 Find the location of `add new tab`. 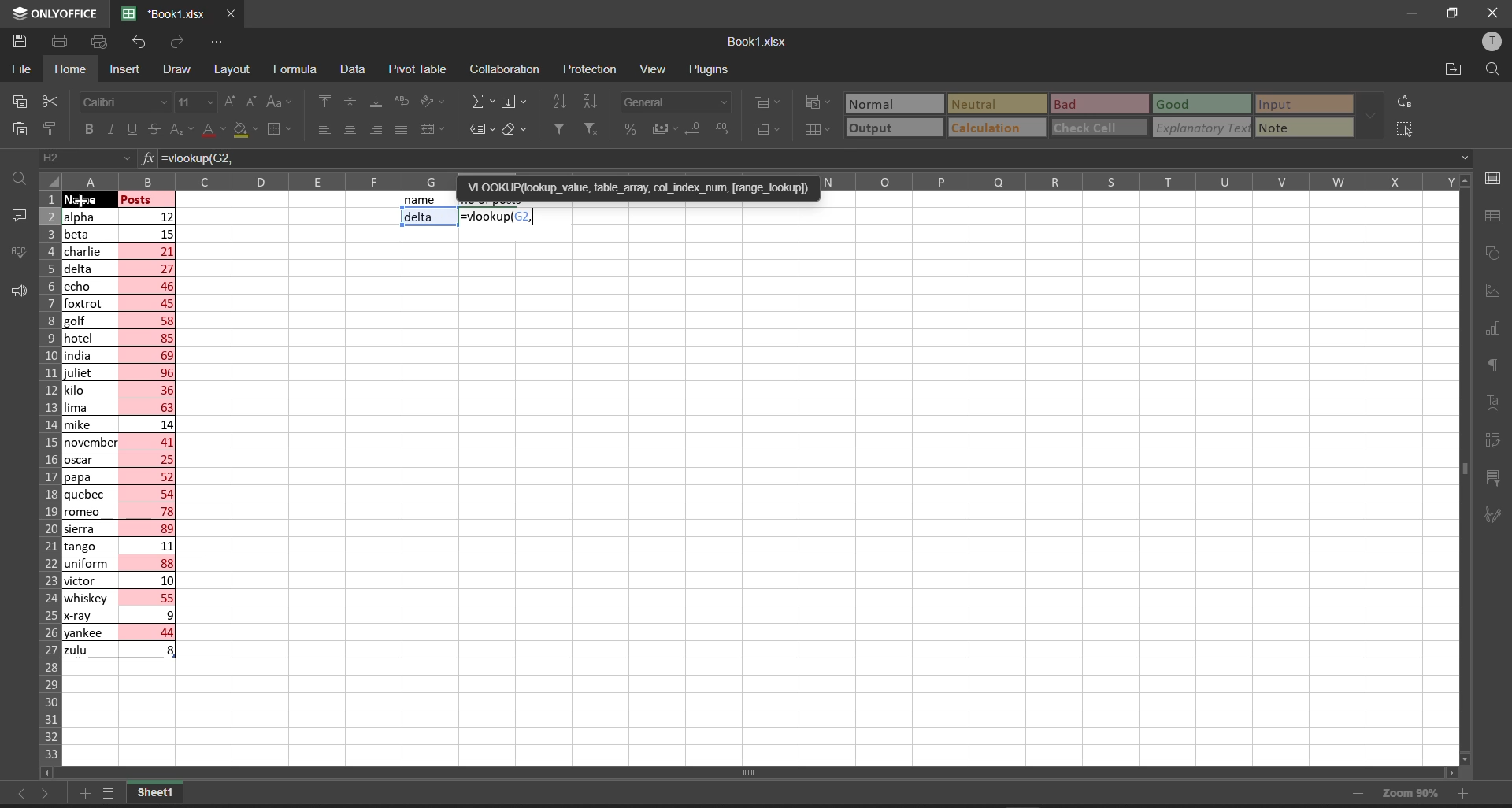

add new tab is located at coordinates (87, 791).